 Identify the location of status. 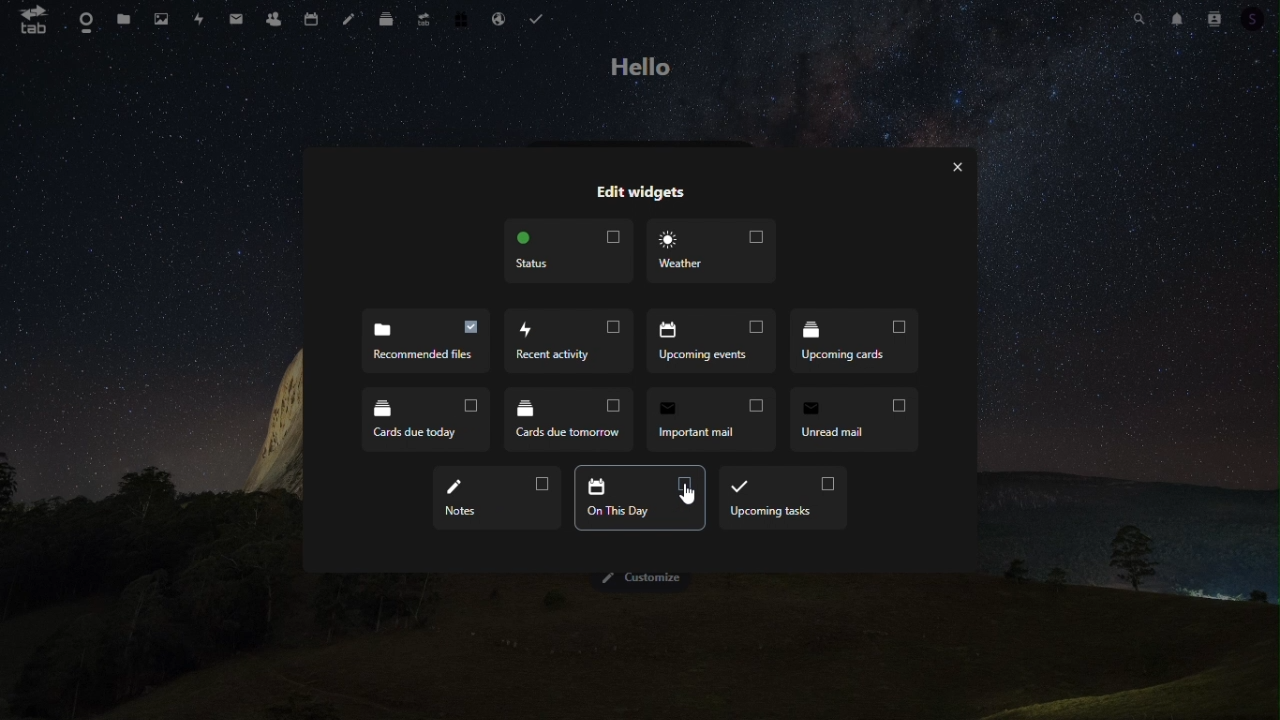
(567, 252).